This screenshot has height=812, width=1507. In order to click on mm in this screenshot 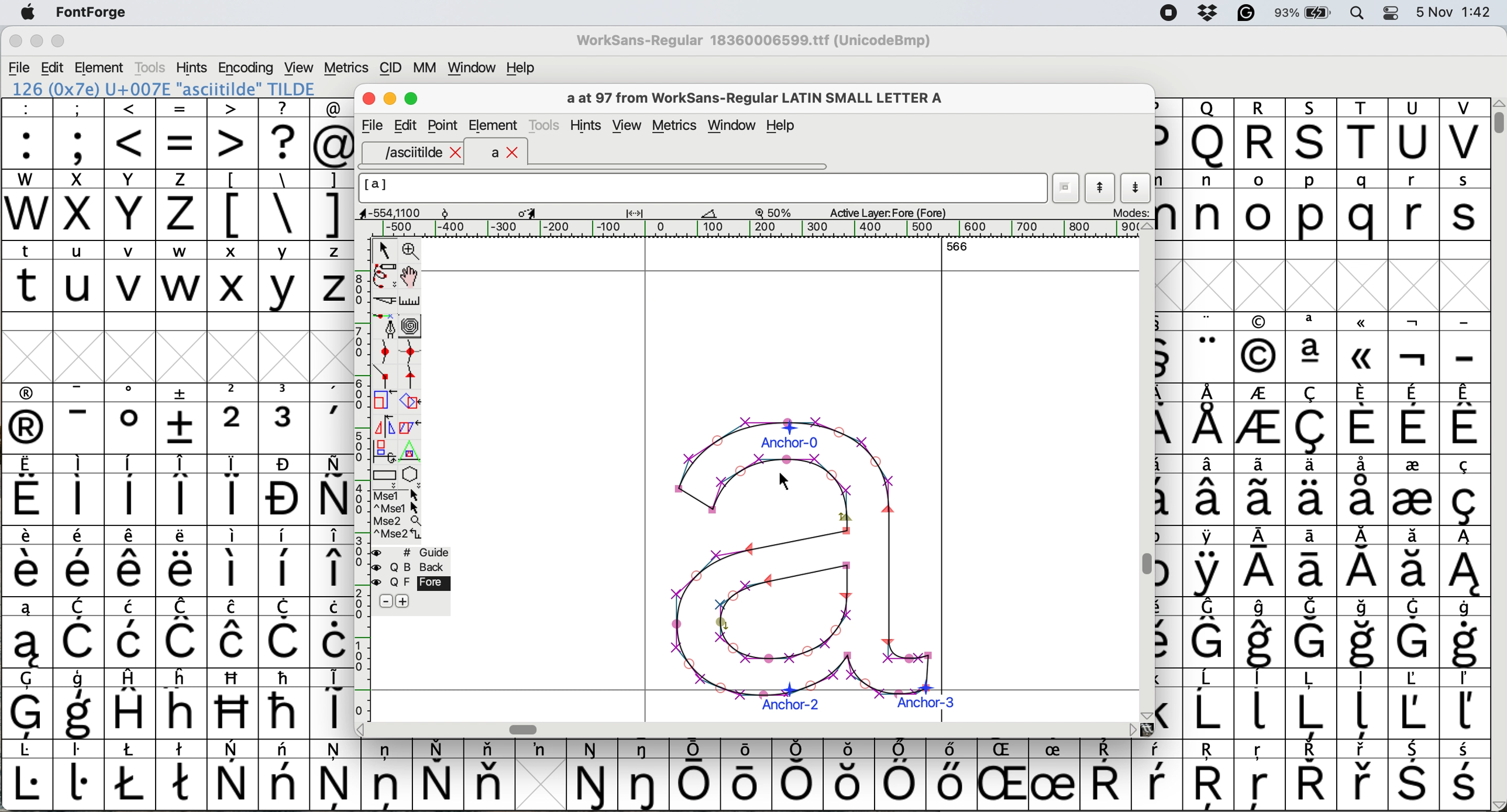, I will do `click(424, 67)`.